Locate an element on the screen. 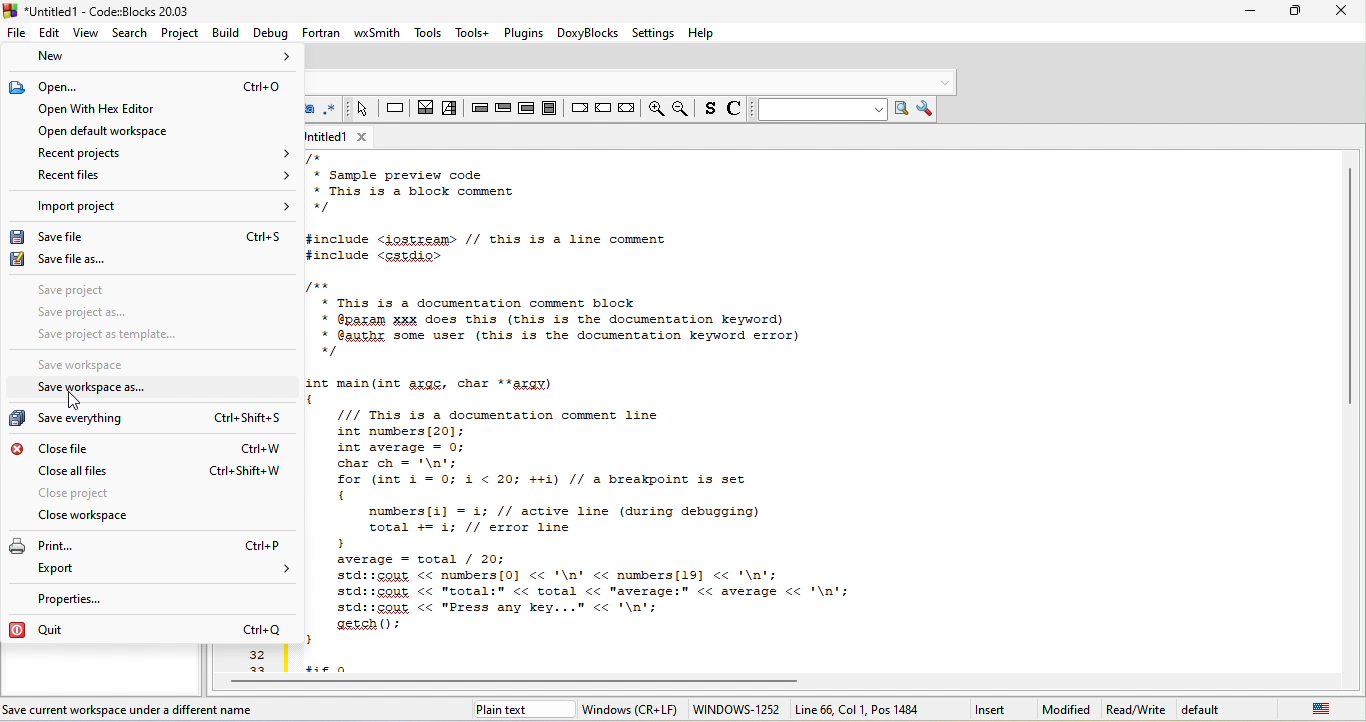 This screenshot has height=722, width=1366. doxyblocks is located at coordinates (589, 34).